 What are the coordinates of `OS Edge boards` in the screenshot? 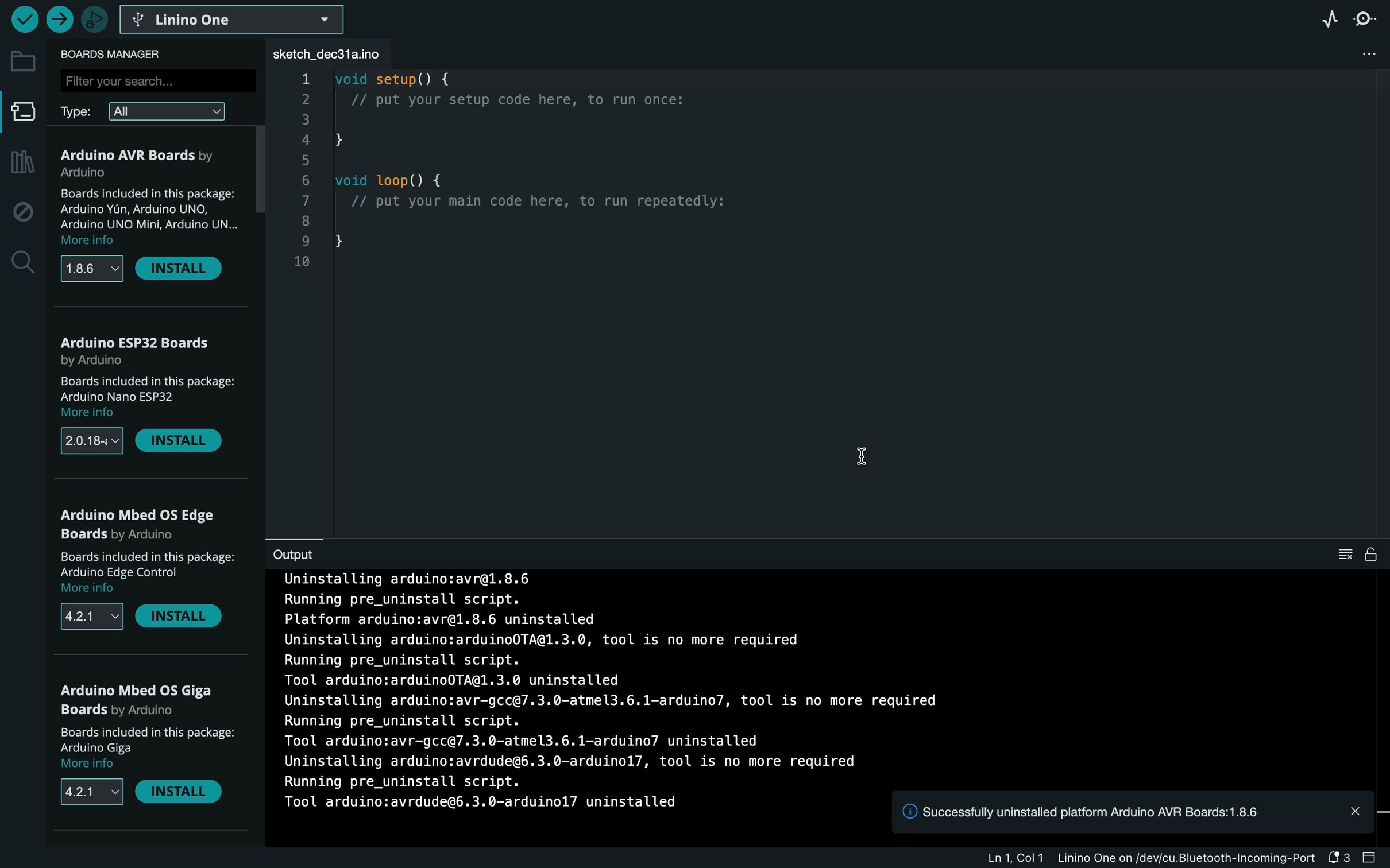 It's located at (143, 525).